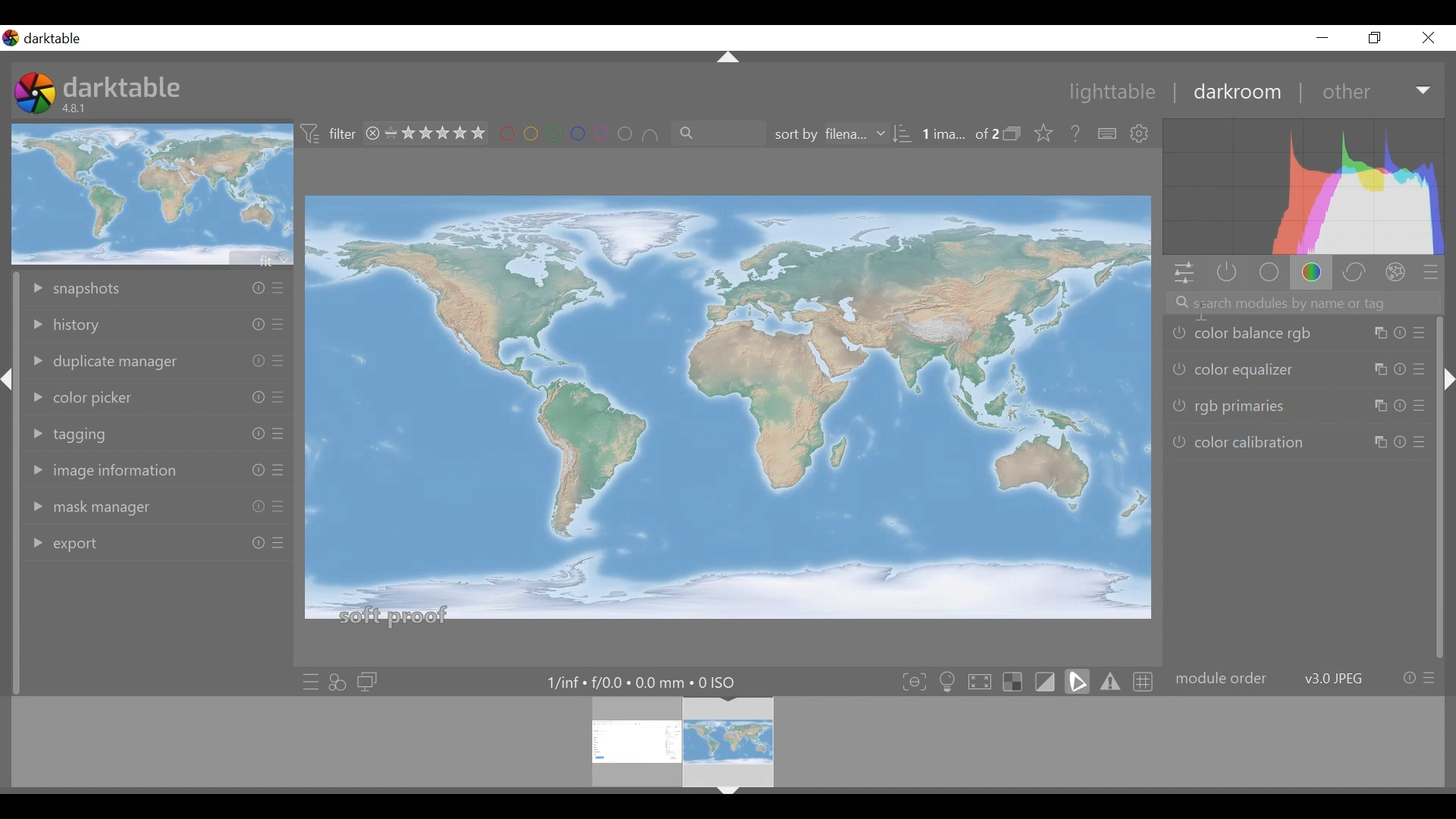 The image size is (1456, 819). I want to click on , so click(1322, 37).